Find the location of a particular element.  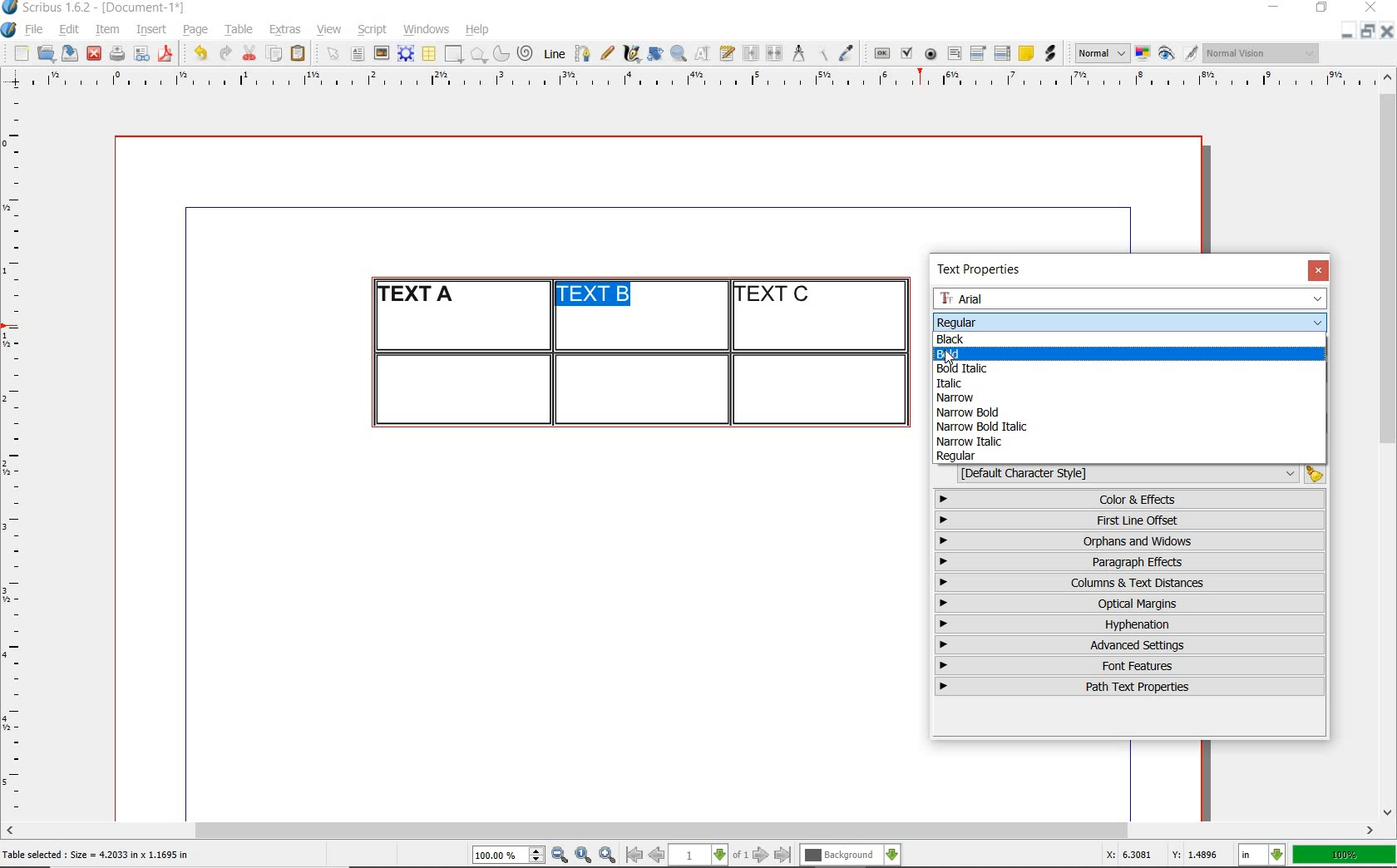

close is located at coordinates (1374, 7).